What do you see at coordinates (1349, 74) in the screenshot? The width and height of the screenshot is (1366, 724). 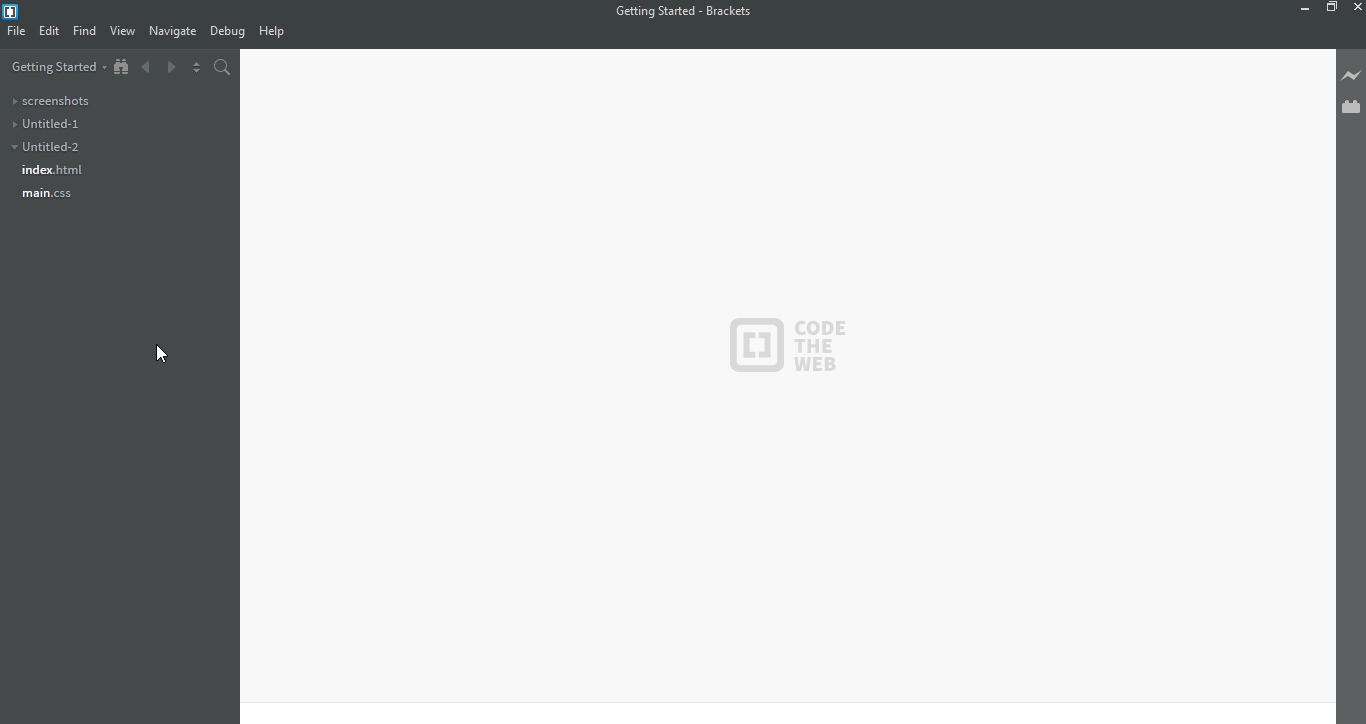 I see `live preview` at bounding box center [1349, 74].